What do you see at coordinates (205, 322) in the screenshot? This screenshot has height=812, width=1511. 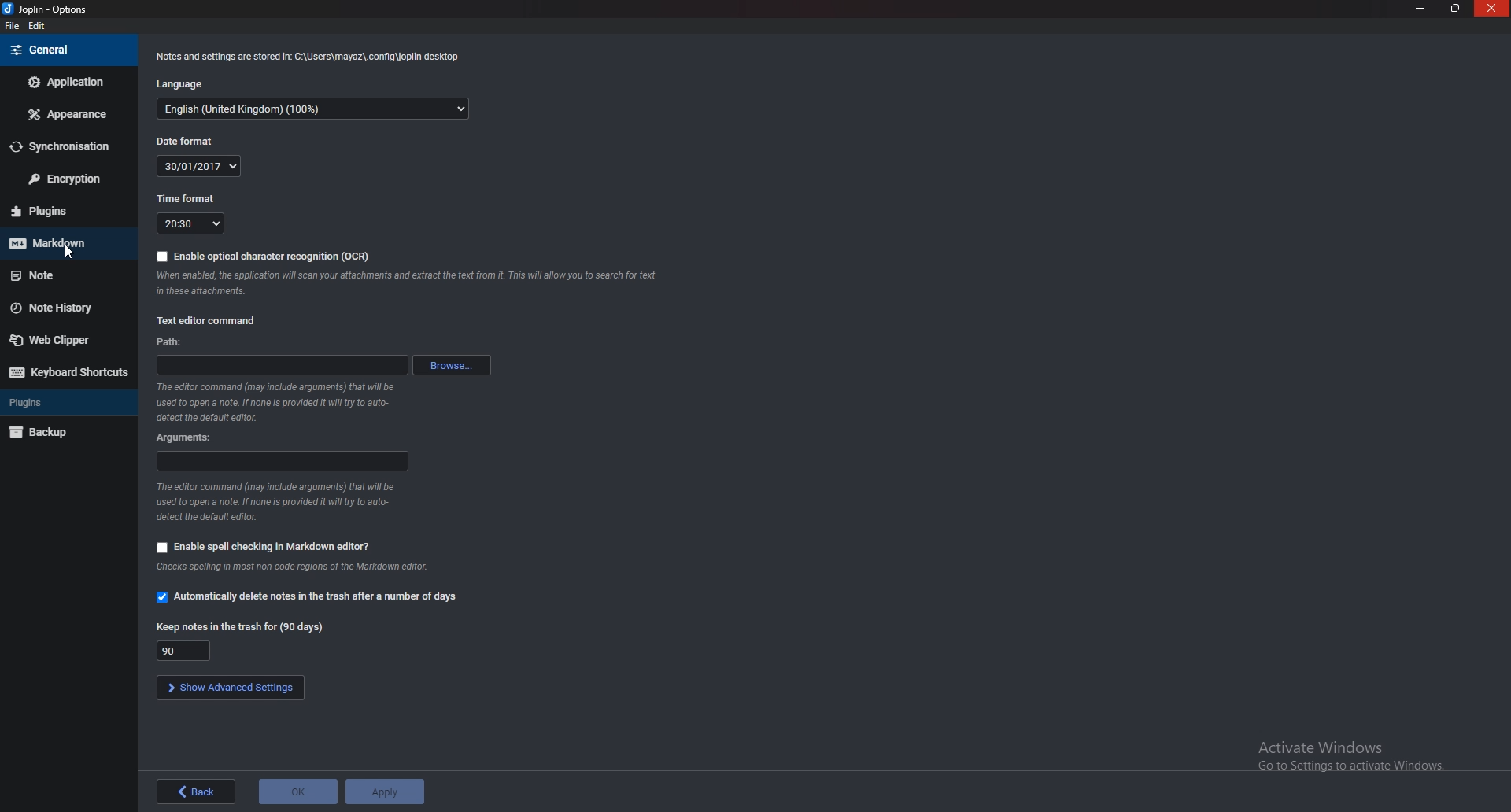 I see `Text editor Command` at bounding box center [205, 322].